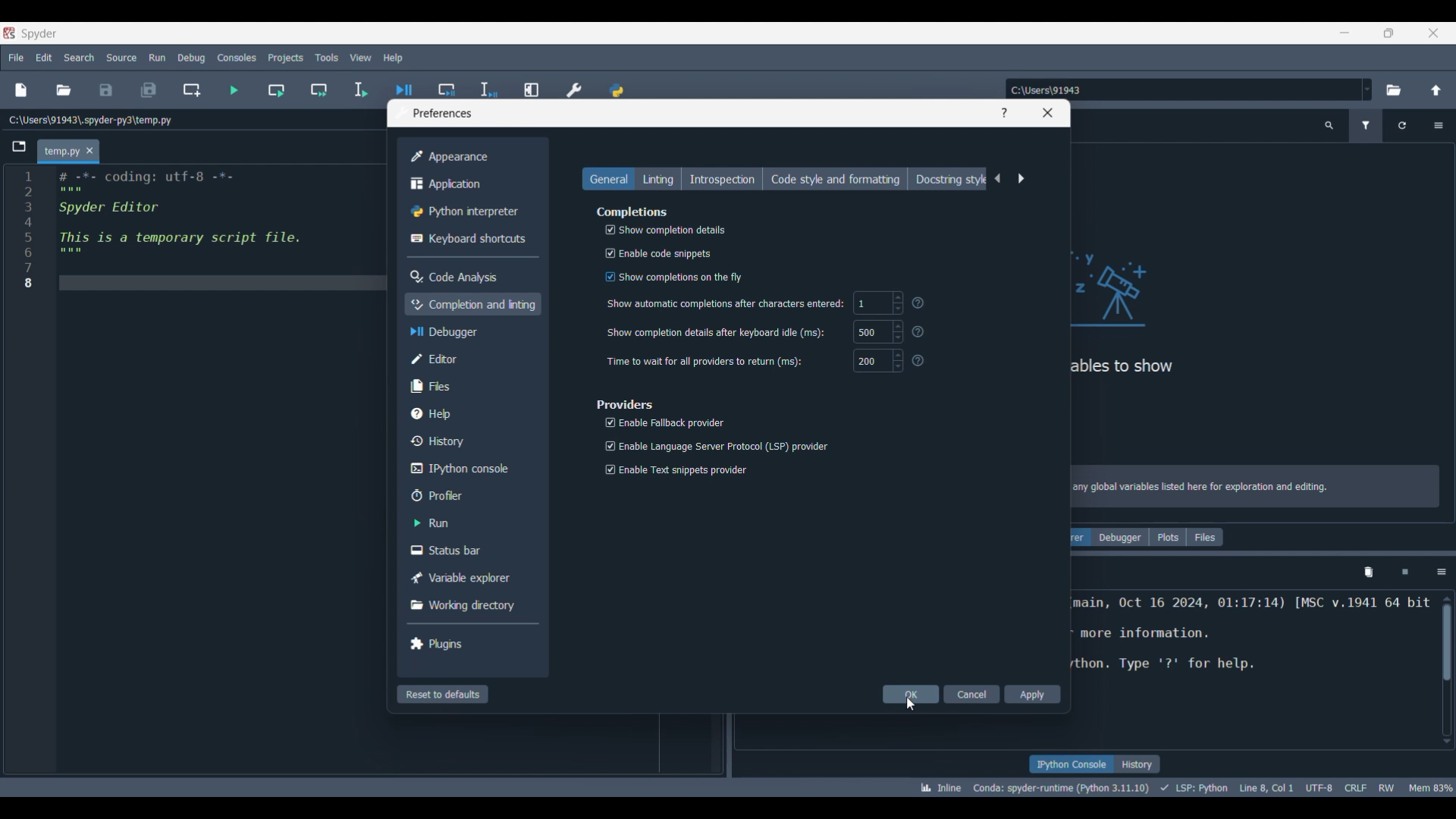 This screenshot has height=819, width=1456. I want to click on Current tab, so click(61, 152).